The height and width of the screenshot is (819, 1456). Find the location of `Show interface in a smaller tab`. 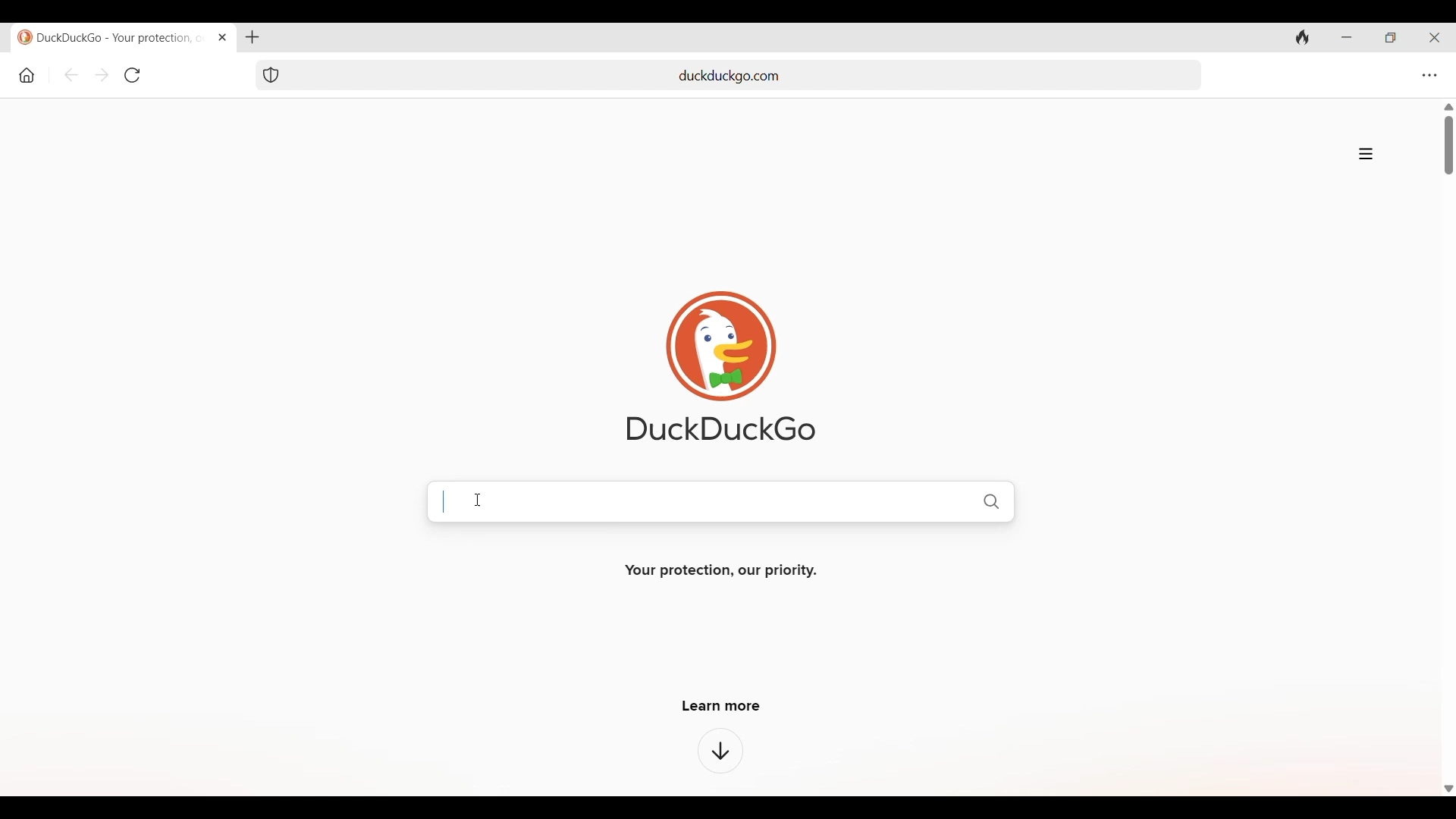

Show interface in a smaller tab is located at coordinates (1390, 38).